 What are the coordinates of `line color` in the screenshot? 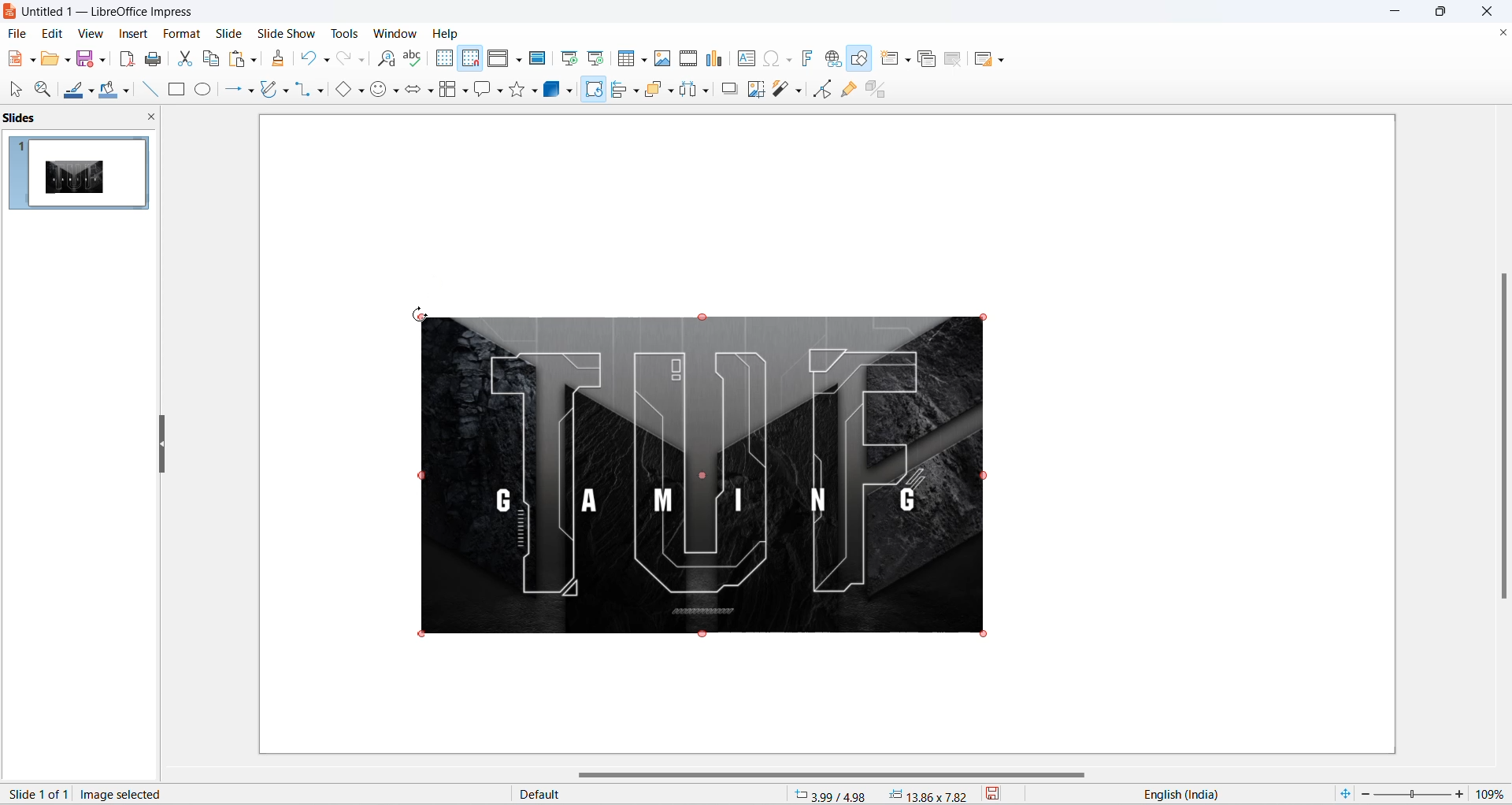 It's located at (73, 91).